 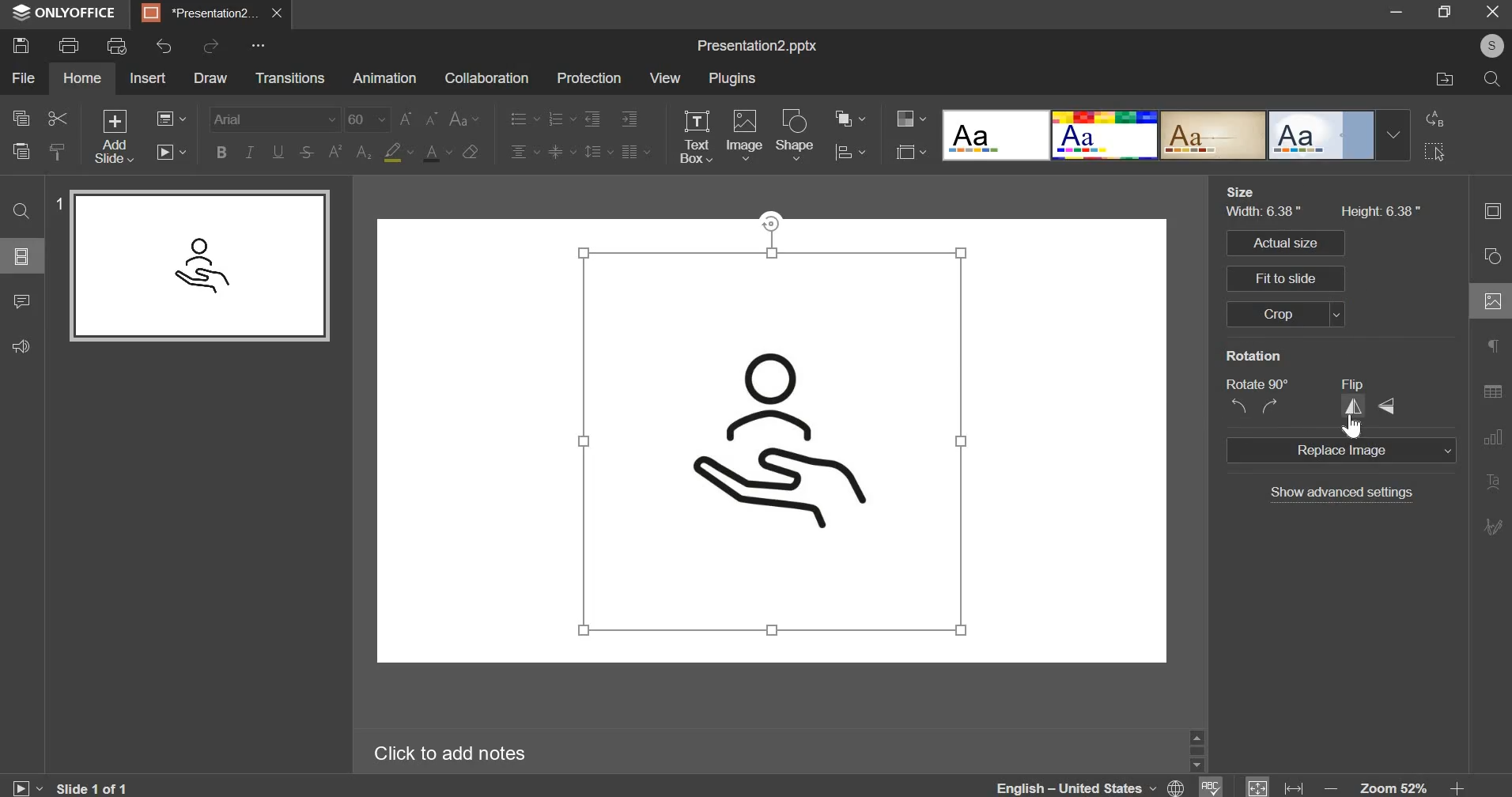 I want to click on change case, so click(x=463, y=119).